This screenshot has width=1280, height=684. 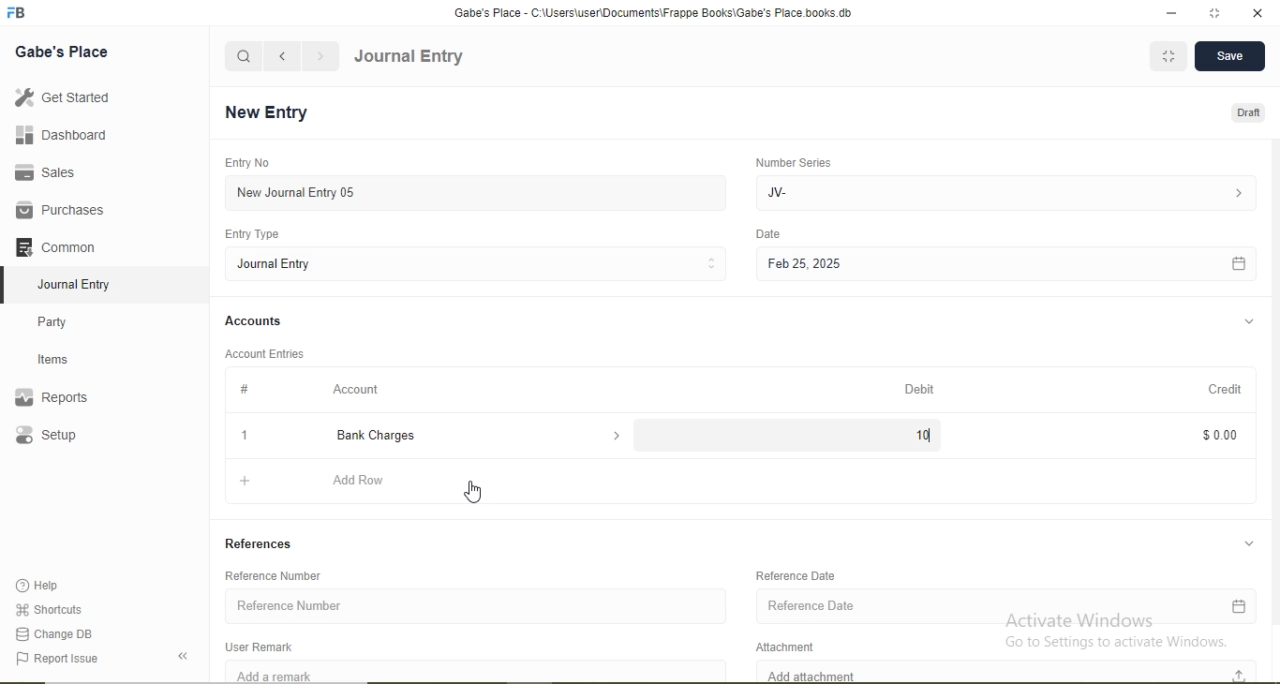 What do you see at coordinates (60, 97) in the screenshot?
I see `Get Started` at bounding box center [60, 97].